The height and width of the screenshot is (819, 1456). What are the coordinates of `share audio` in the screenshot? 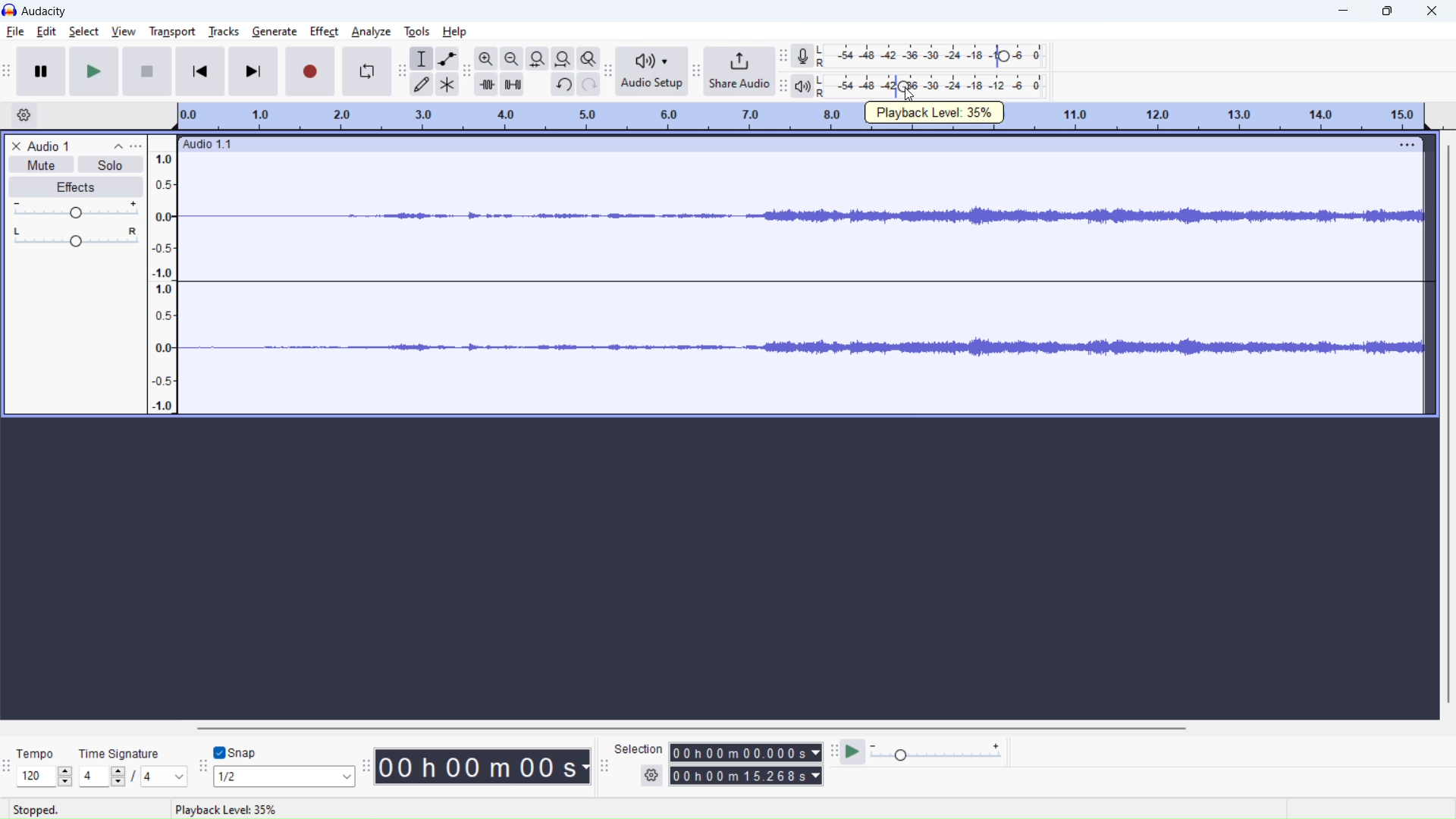 It's located at (739, 71).